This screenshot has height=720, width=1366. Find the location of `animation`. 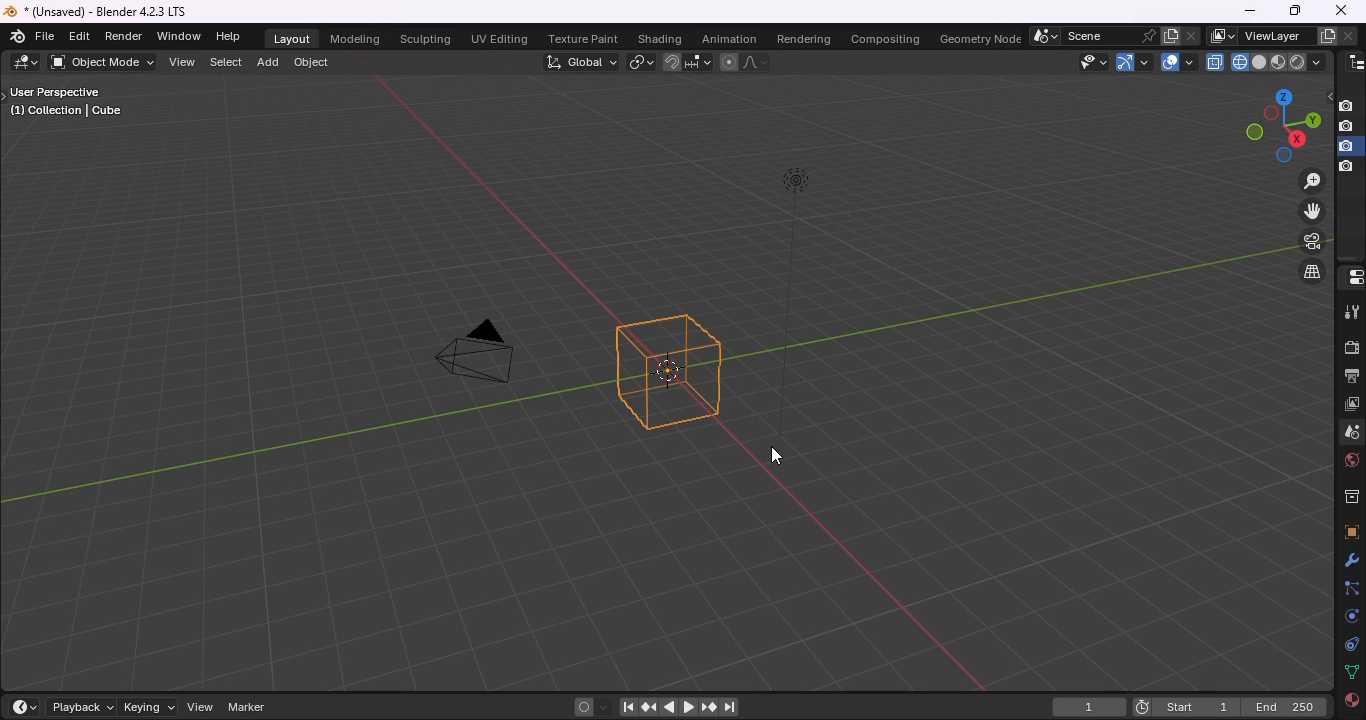

animation is located at coordinates (729, 40).